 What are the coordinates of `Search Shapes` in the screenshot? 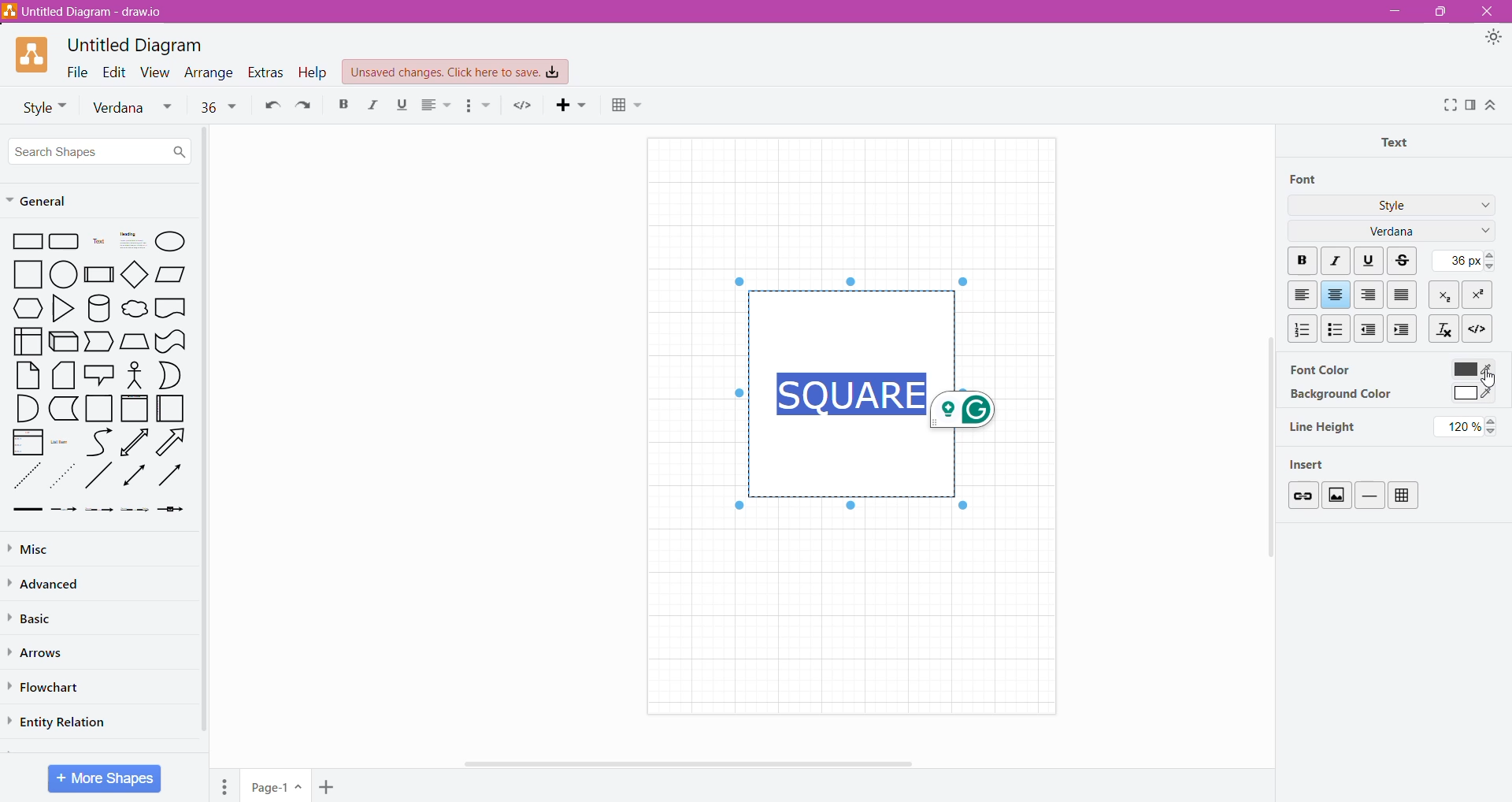 It's located at (99, 150).